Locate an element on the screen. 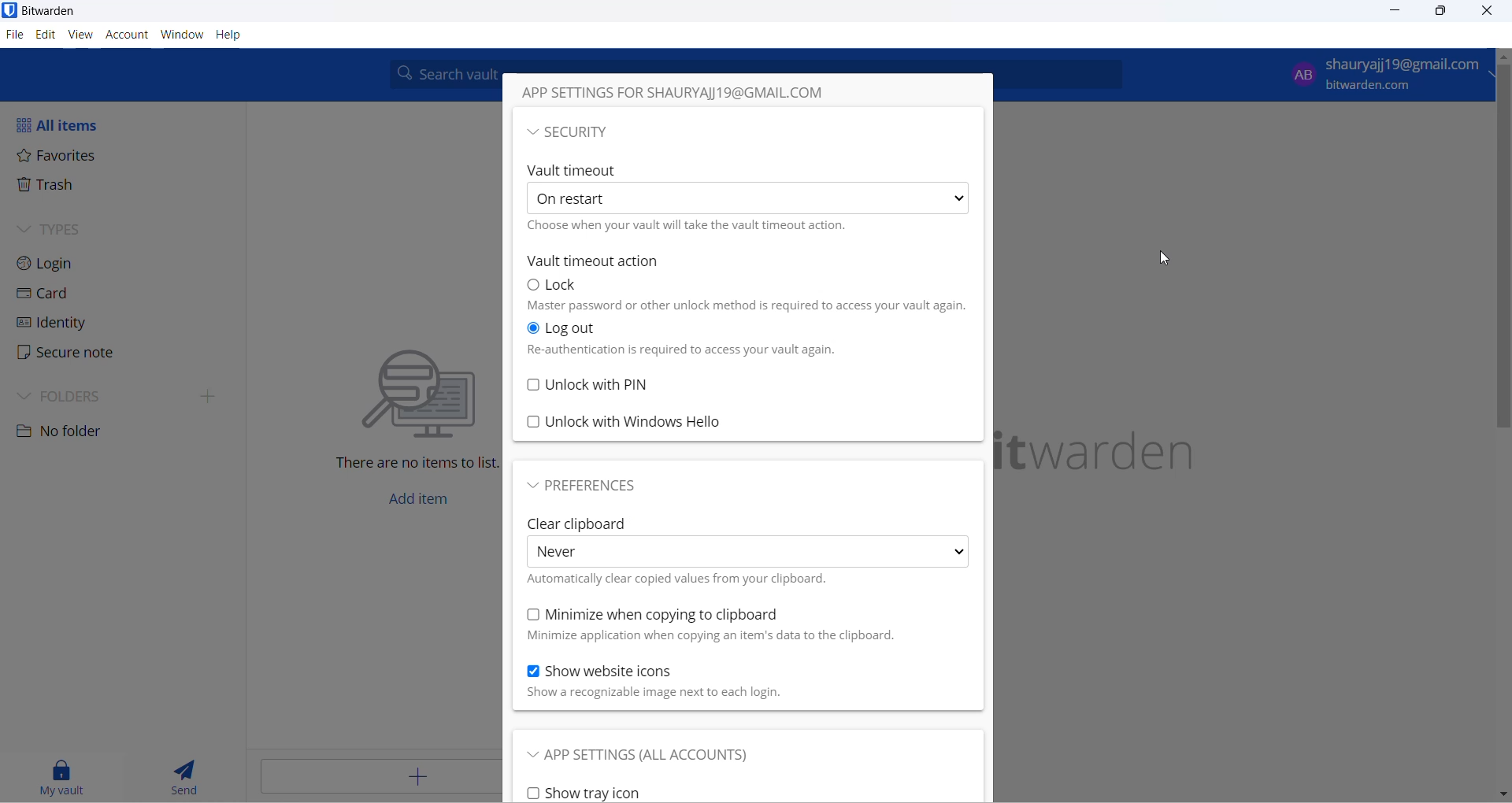 Image resolution: width=1512 pixels, height=803 pixels. clear clipboard options is located at coordinates (740, 551).